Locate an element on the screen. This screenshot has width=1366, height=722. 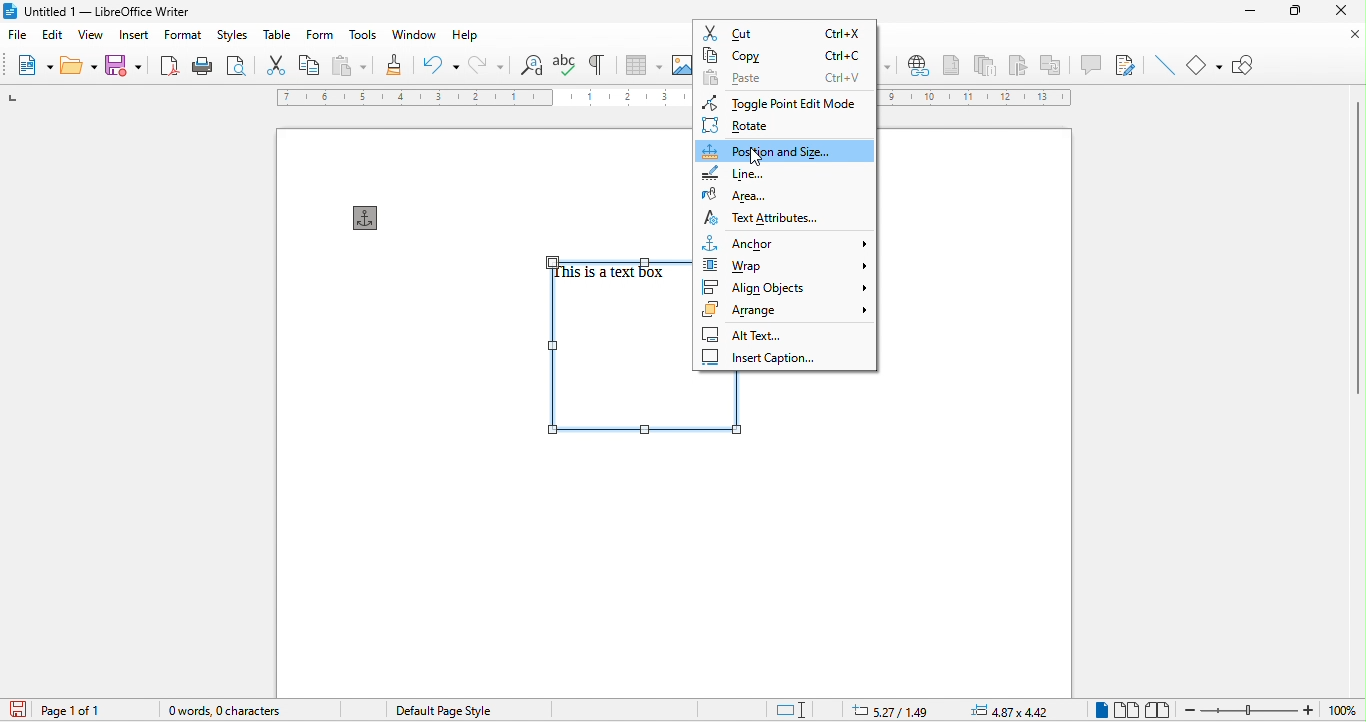
print is located at coordinates (200, 65).